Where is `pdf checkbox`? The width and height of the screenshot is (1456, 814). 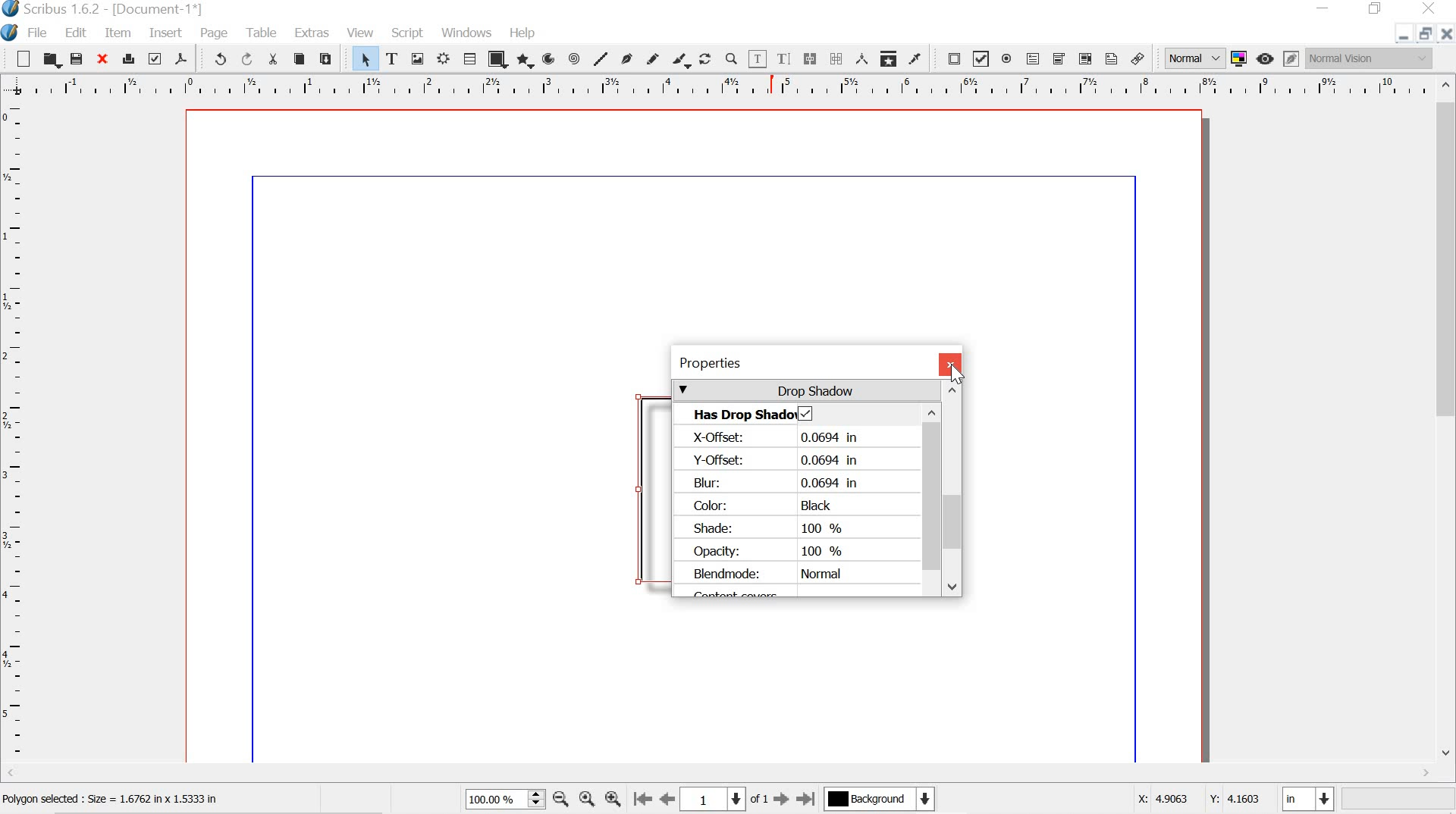
pdf checkbox is located at coordinates (981, 58).